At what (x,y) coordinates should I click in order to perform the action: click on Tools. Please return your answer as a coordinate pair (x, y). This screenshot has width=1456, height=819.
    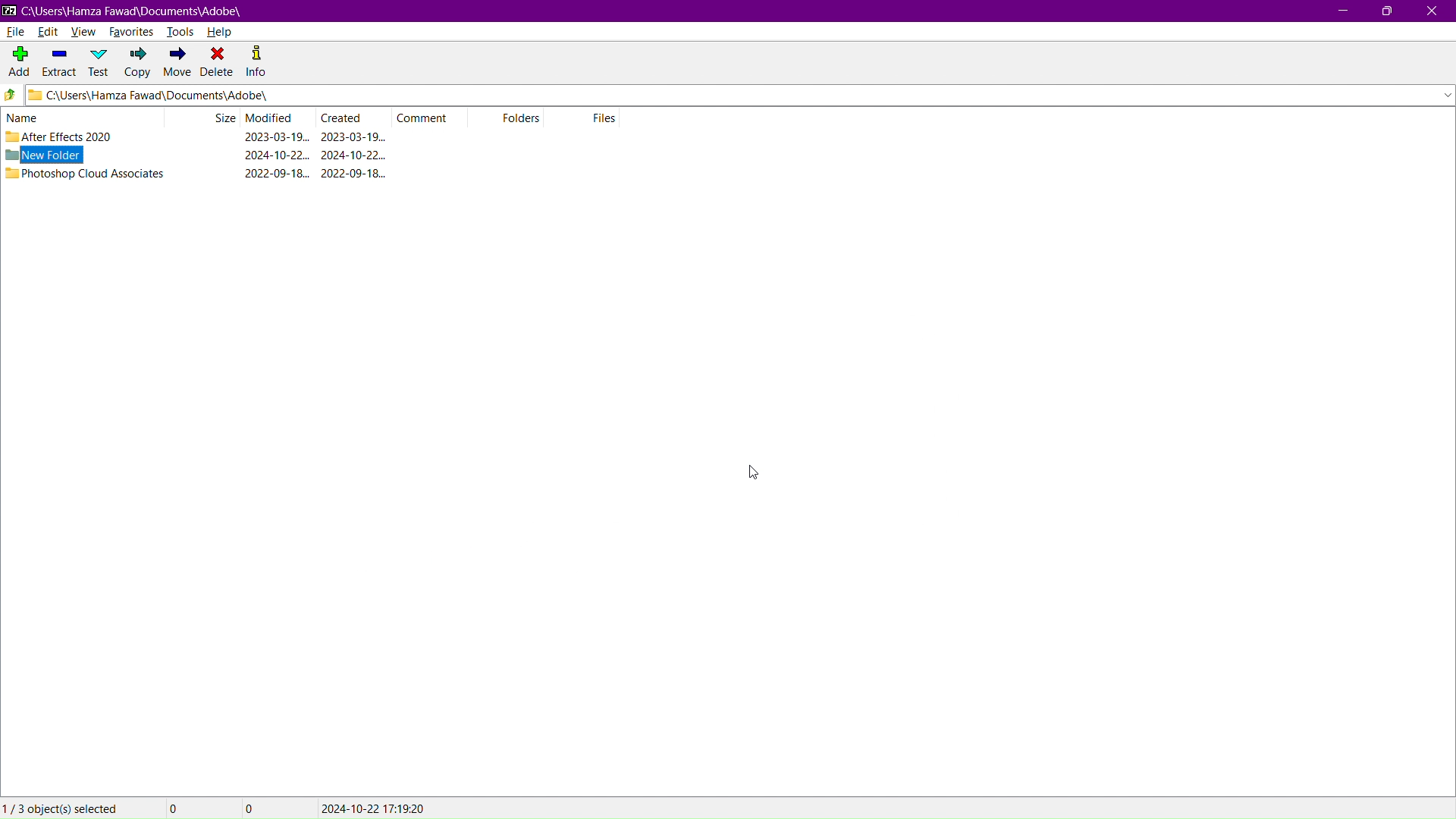
    Looking at the image, I should click on (183, 33).